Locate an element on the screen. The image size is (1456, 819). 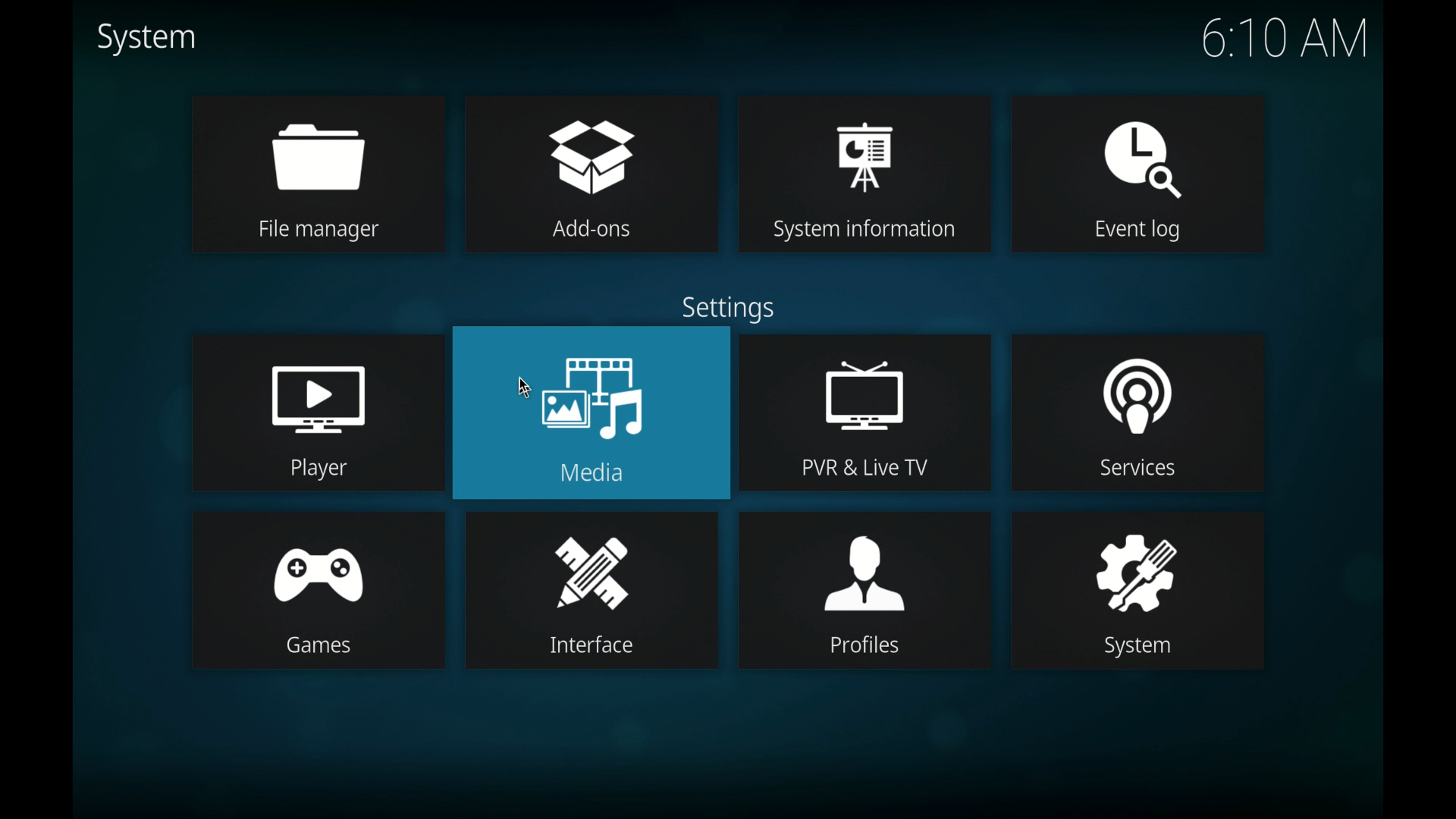
media is located at coordinates (591, 414).